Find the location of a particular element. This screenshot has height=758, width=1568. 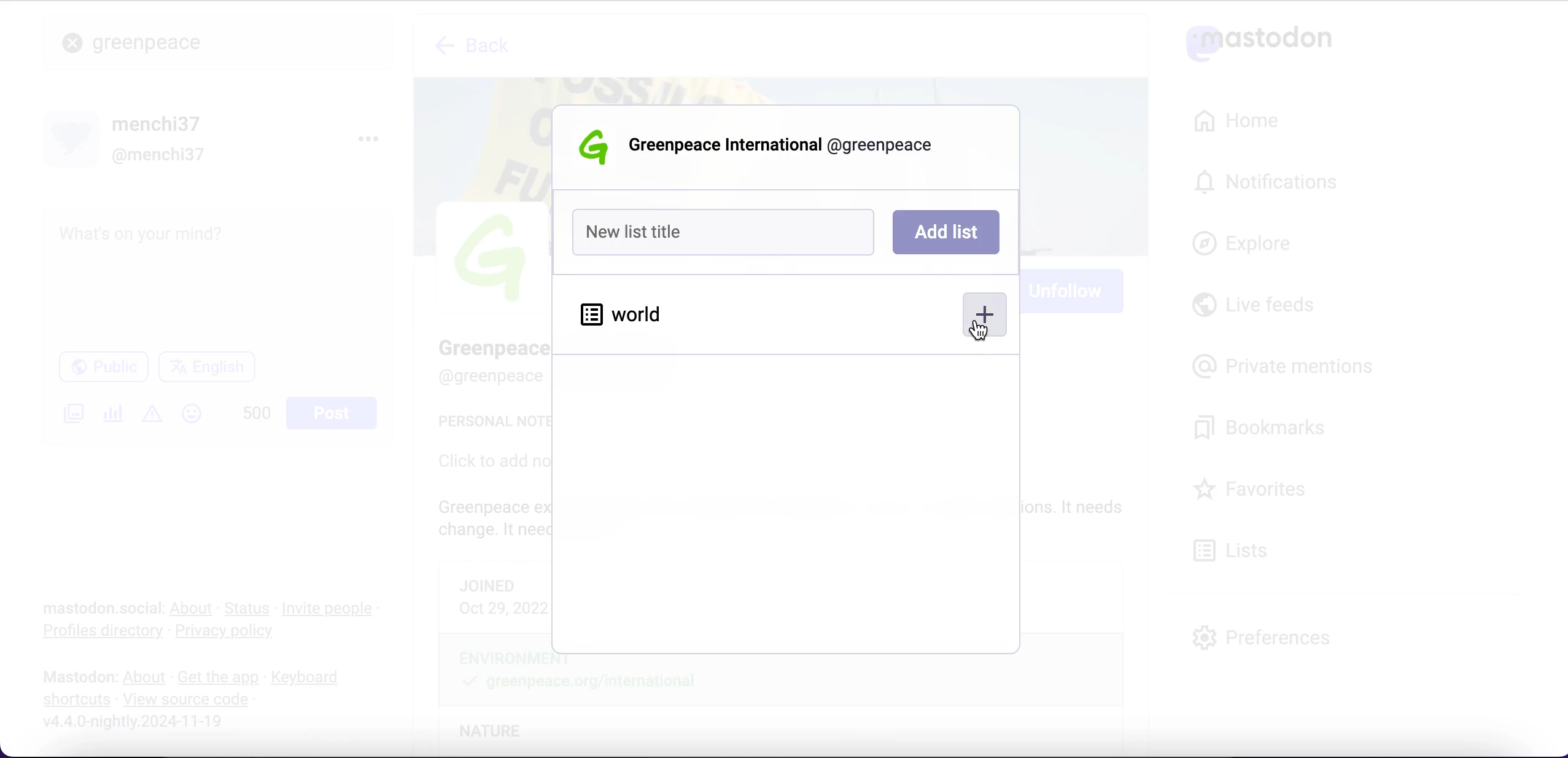

add list is located at coordinates (946, 233).